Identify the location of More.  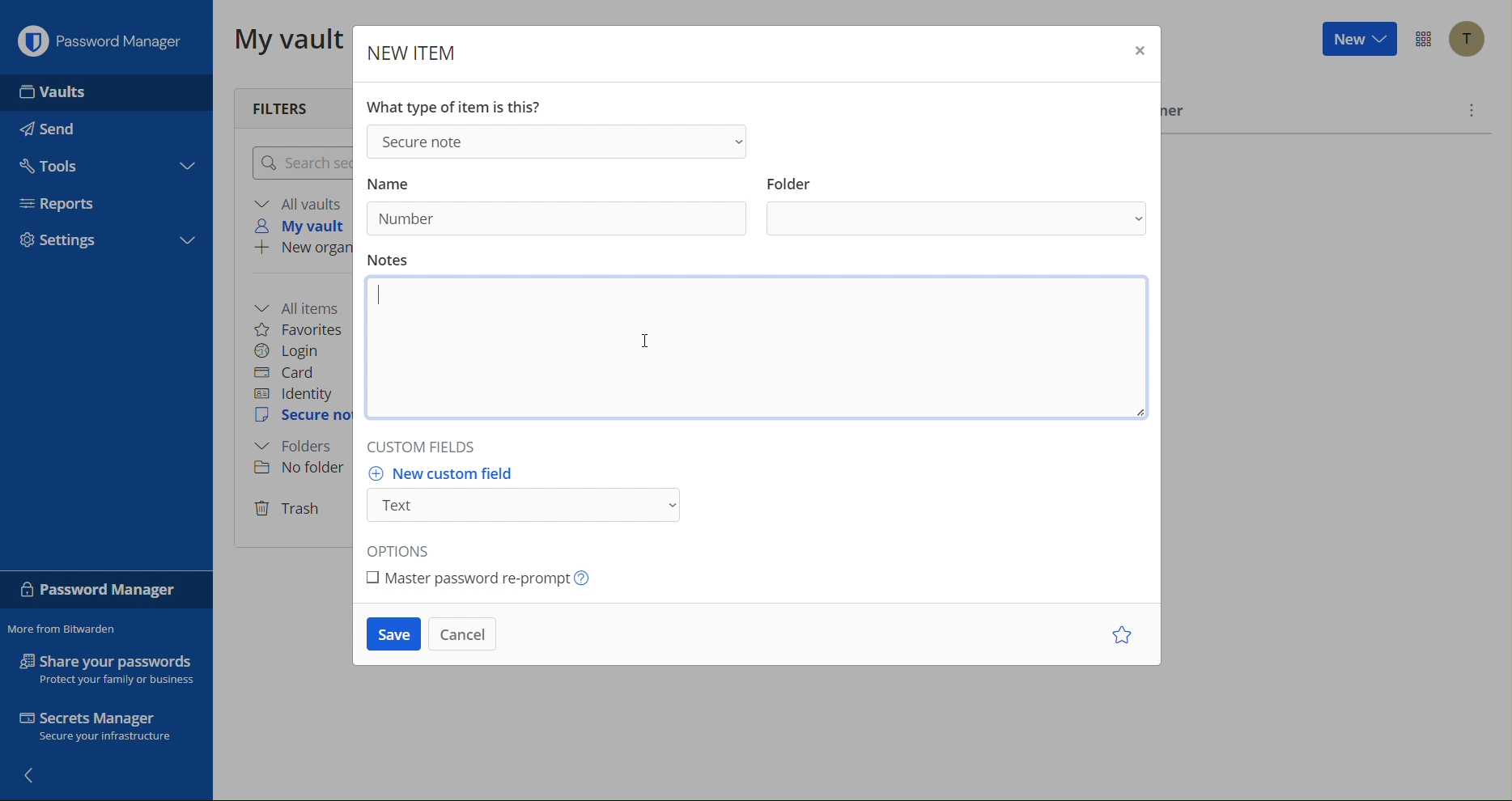
(1472, 109).